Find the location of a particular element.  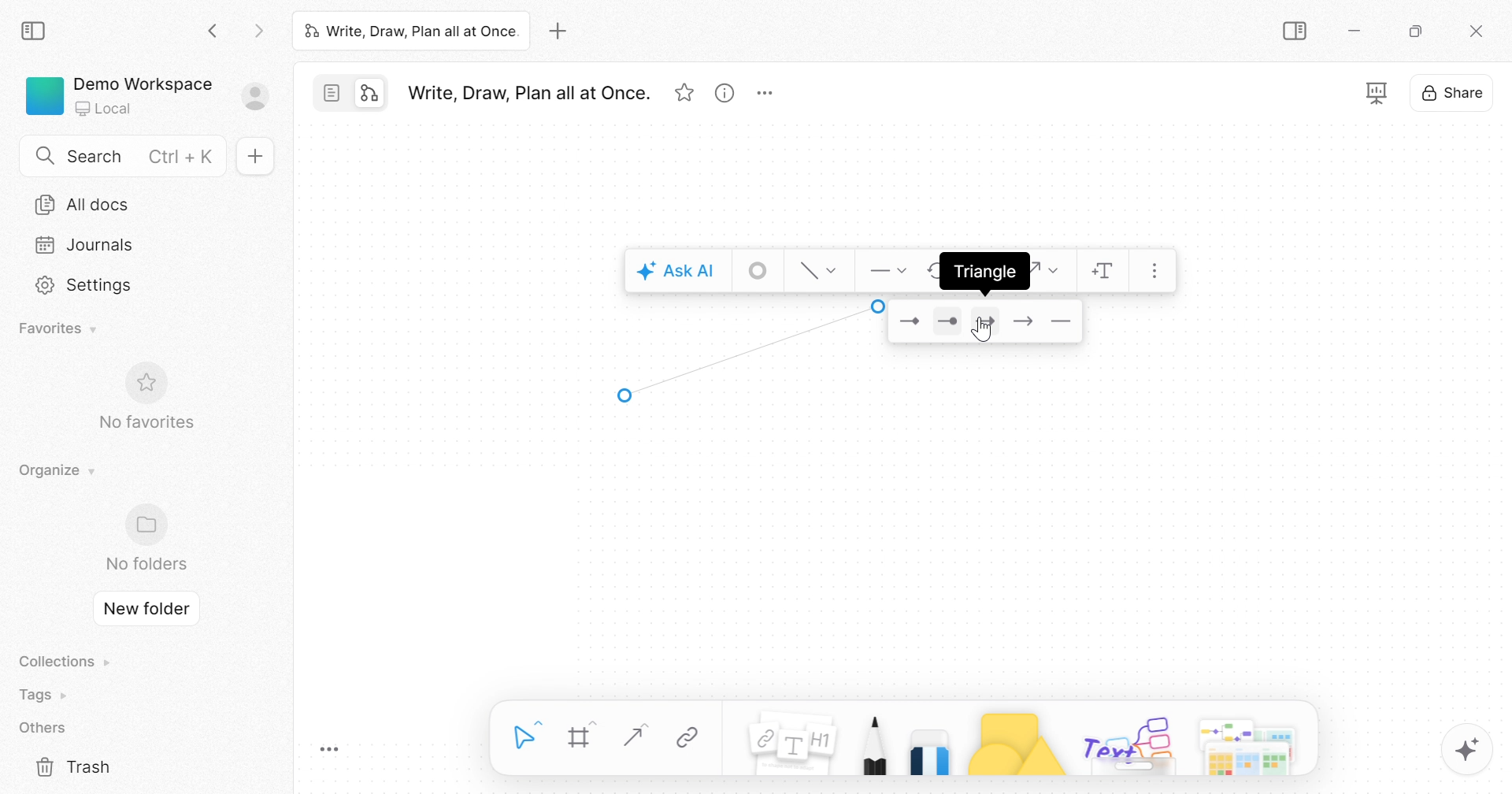

Toggle Zoom Tool Bar is located at coordinates (330, 751).